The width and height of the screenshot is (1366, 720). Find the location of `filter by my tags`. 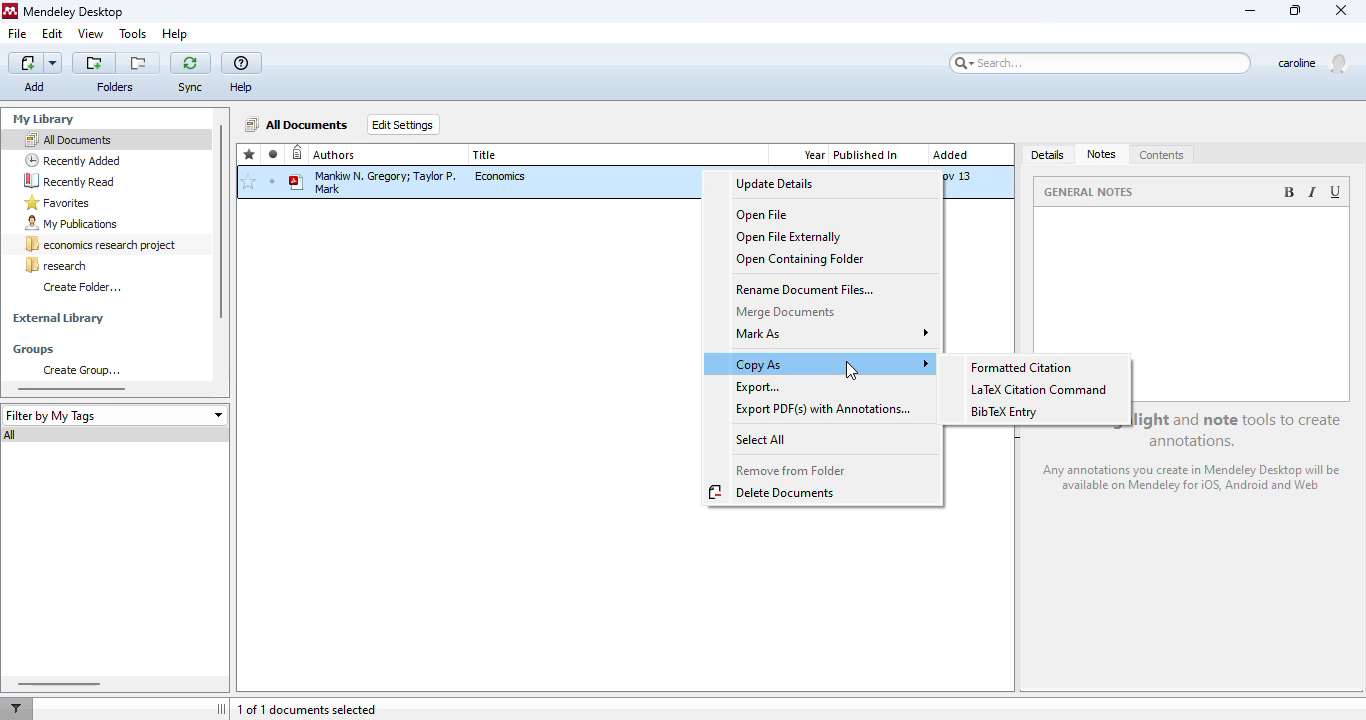

filter by my tags is located at coordinates (114, 415).